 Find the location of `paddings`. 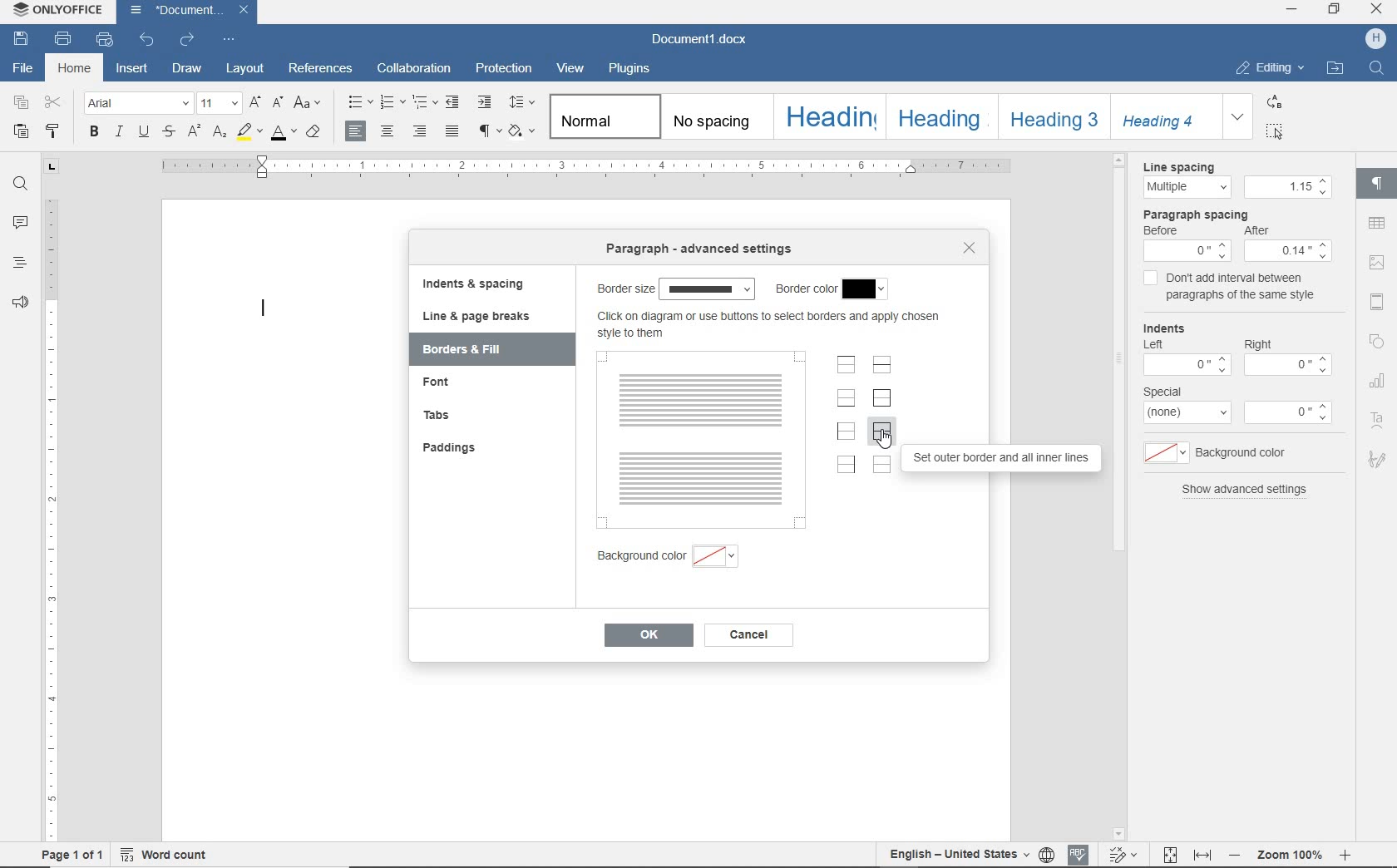

paddings is located at coordinates (462, 449).